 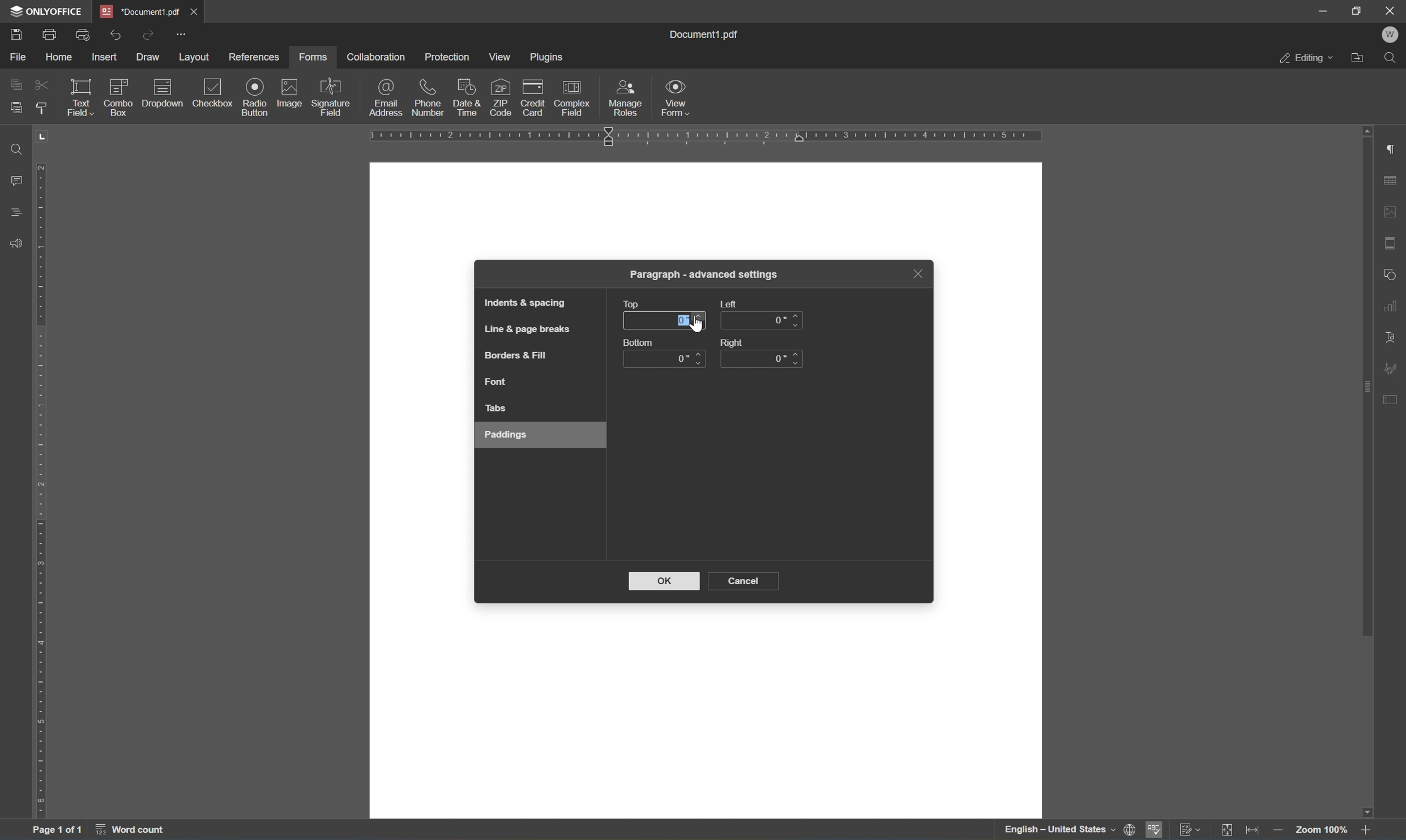 What do you see at coordinates (1307, 61) in the screenshot?
I see `editing` at bounding box center [1307, 61].